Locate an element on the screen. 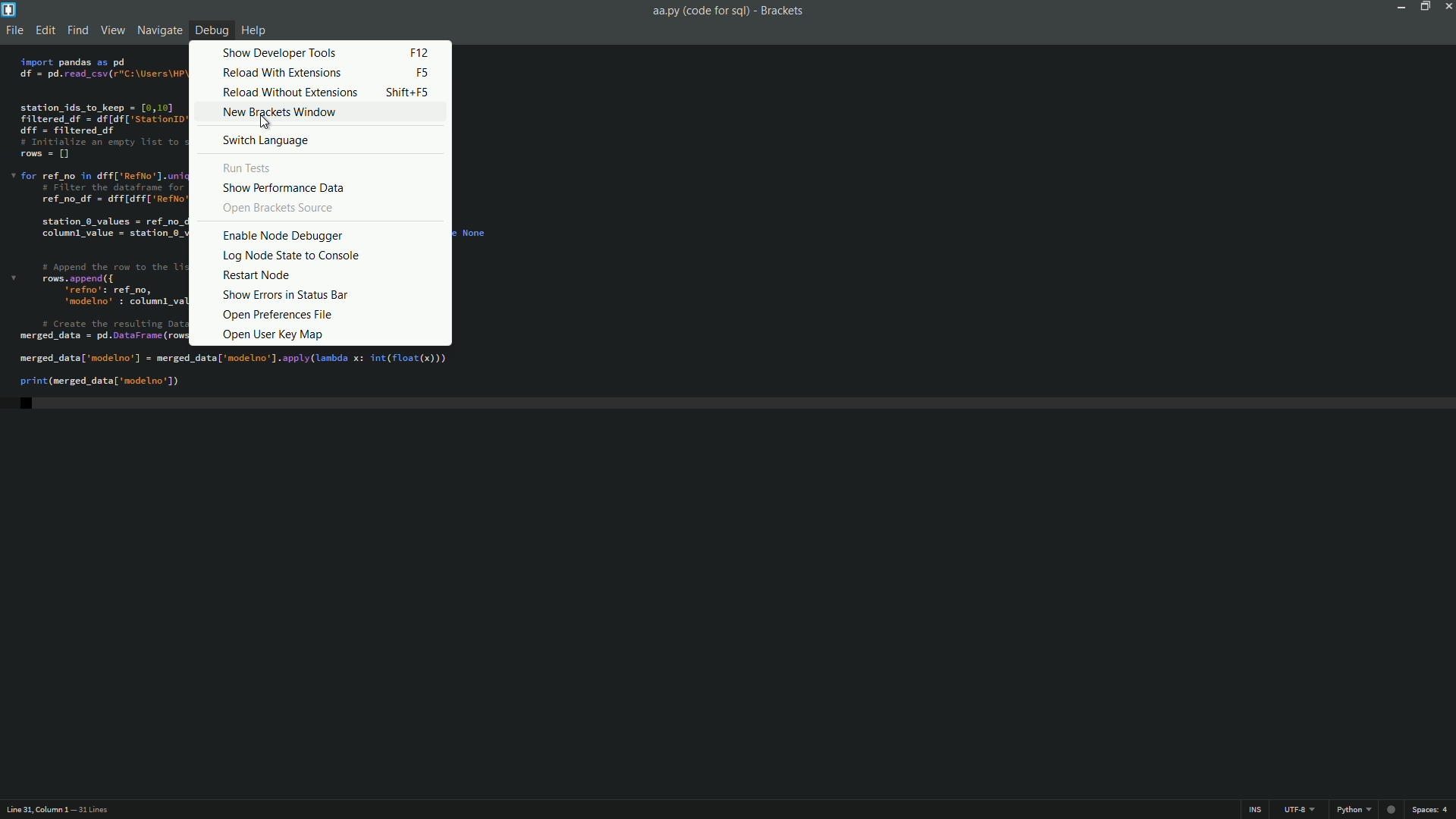 The width and height of the screenshot is (1456, 819). Cursor on New Brackets Window is located at coordinates (265, 124).